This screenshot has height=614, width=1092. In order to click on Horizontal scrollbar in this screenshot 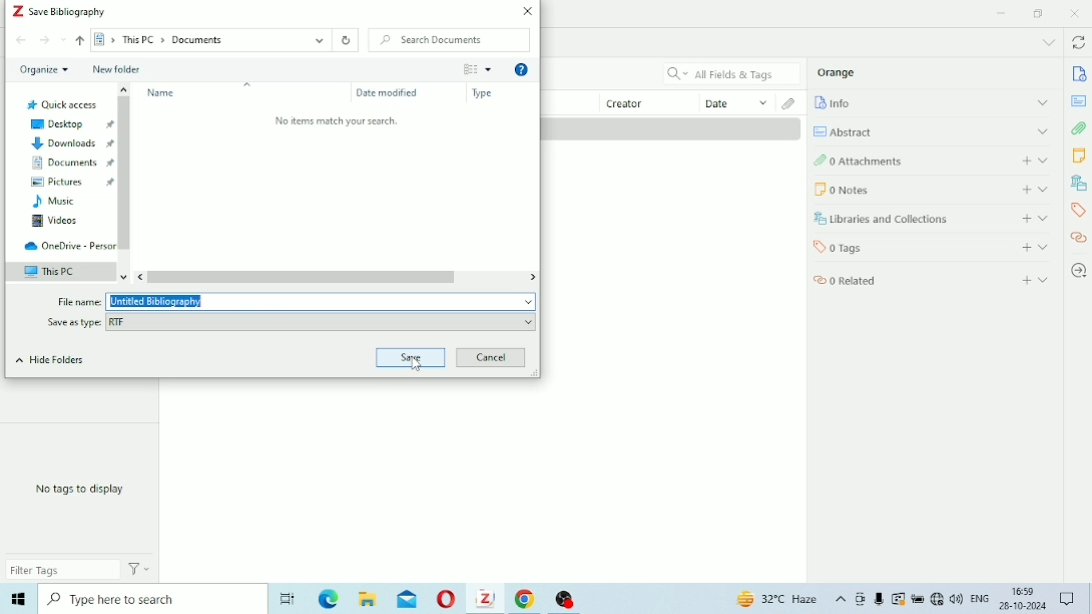, I will do `click(304, 277)`.